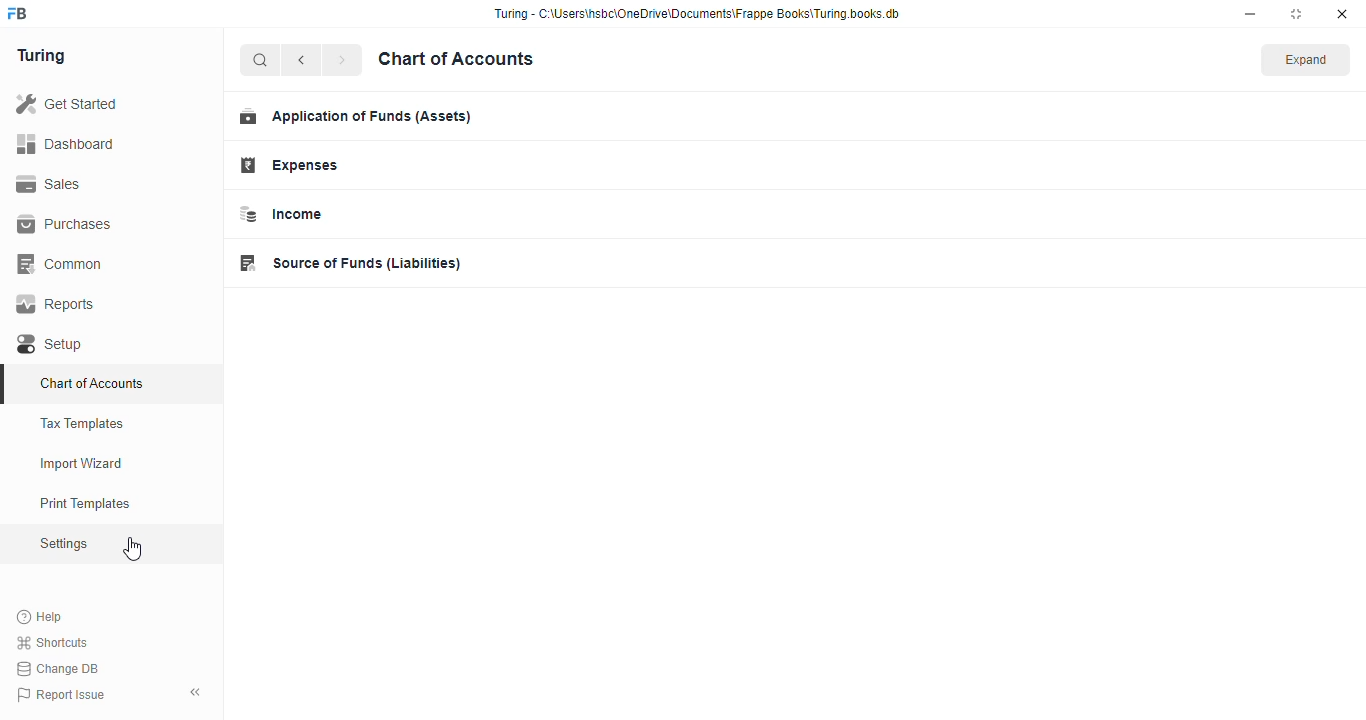 This screenshot has width=1366, height=720. What do you see at coordinates (350, 262) in the screenshot?
I see `source of funds (liabilities)` at bounding box center [350, 262].